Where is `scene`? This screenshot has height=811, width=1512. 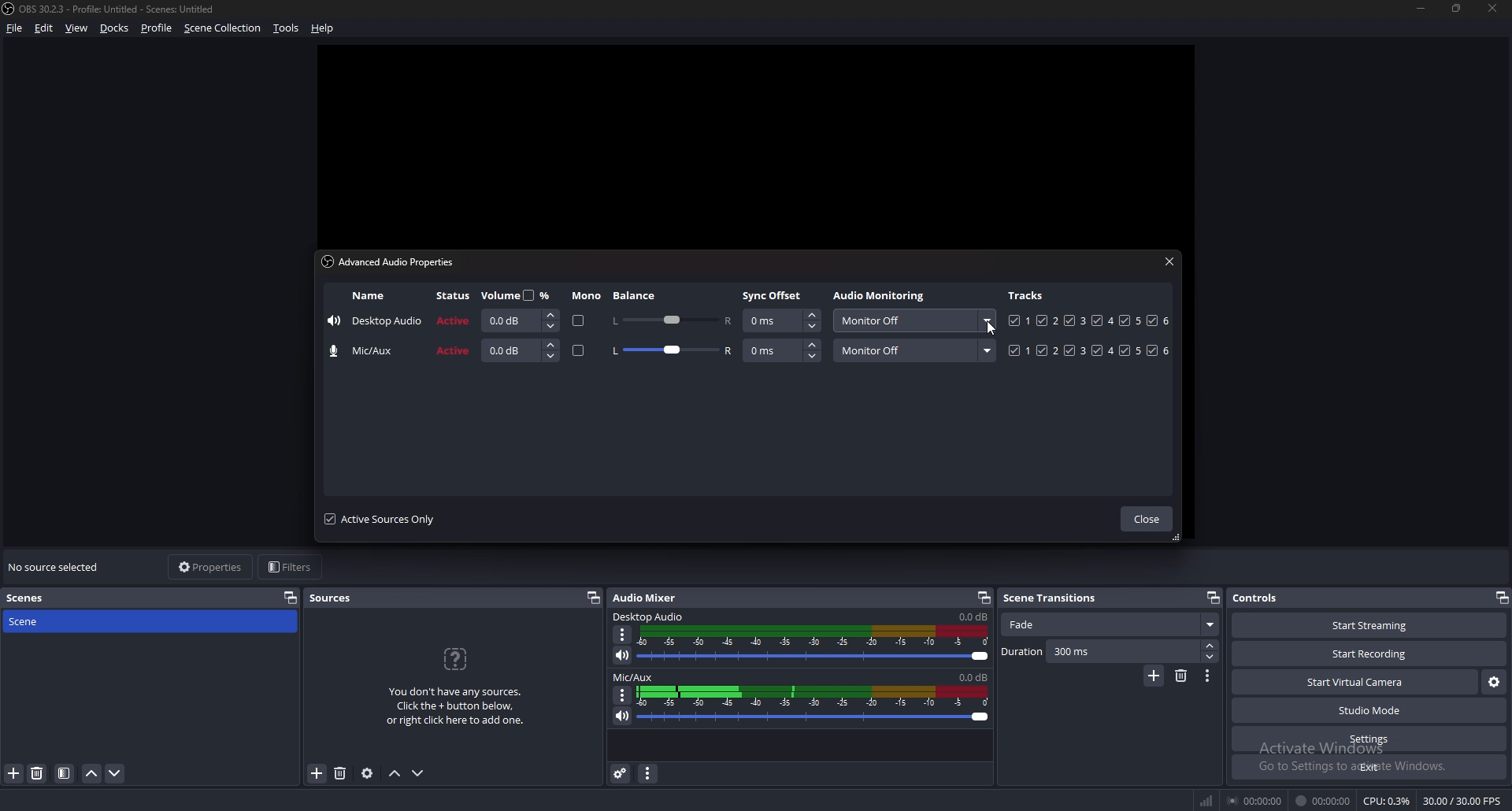 scene is located at coordinates (37, 622).